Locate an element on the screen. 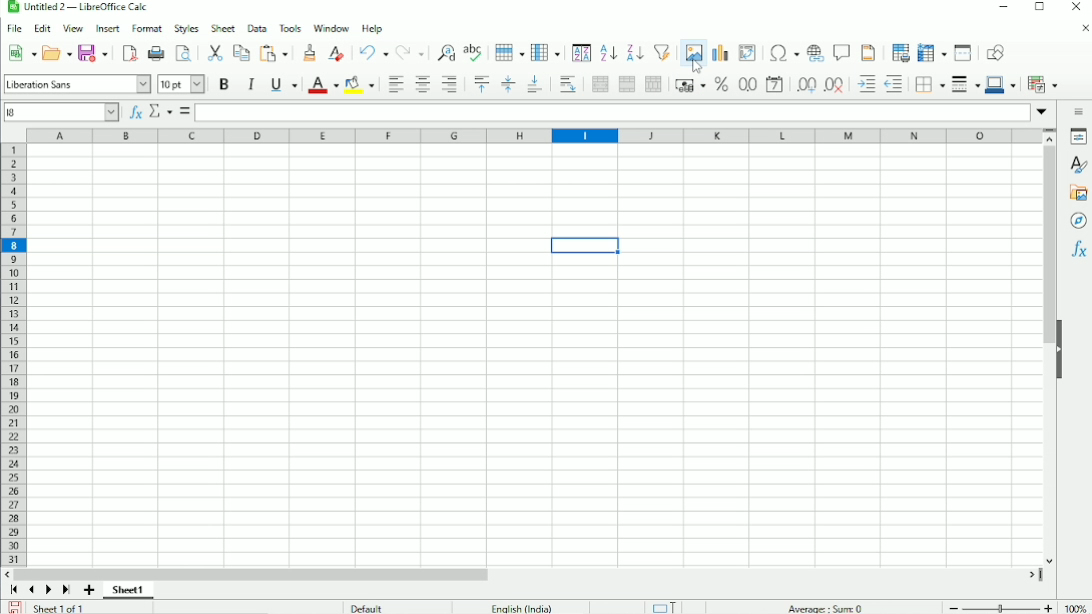 The height and width of the screenshot is (614, 1092). Format is located at coordinates (146, 28).